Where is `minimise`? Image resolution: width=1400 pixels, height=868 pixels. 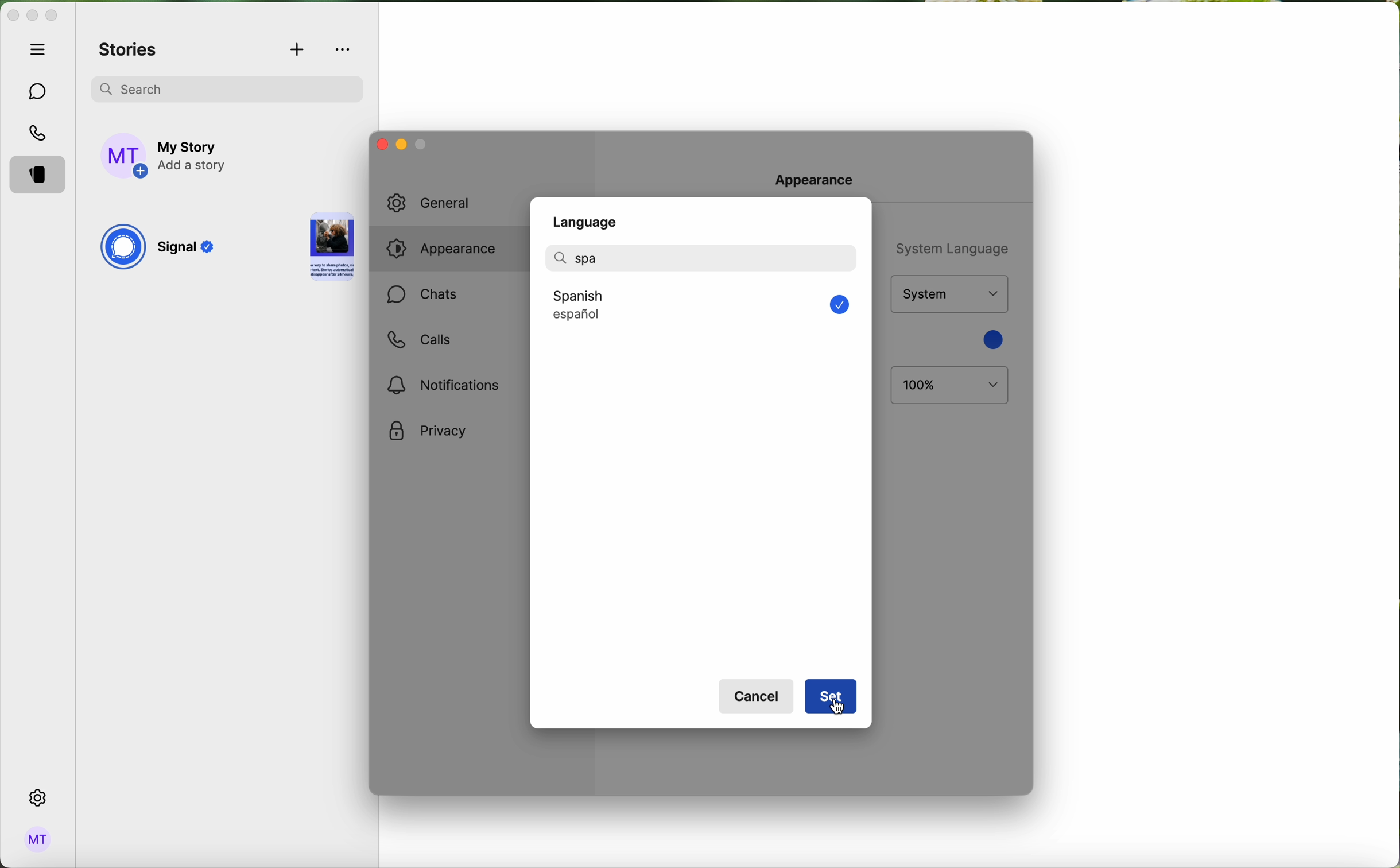
minimise is located at coordinates (422, 147).